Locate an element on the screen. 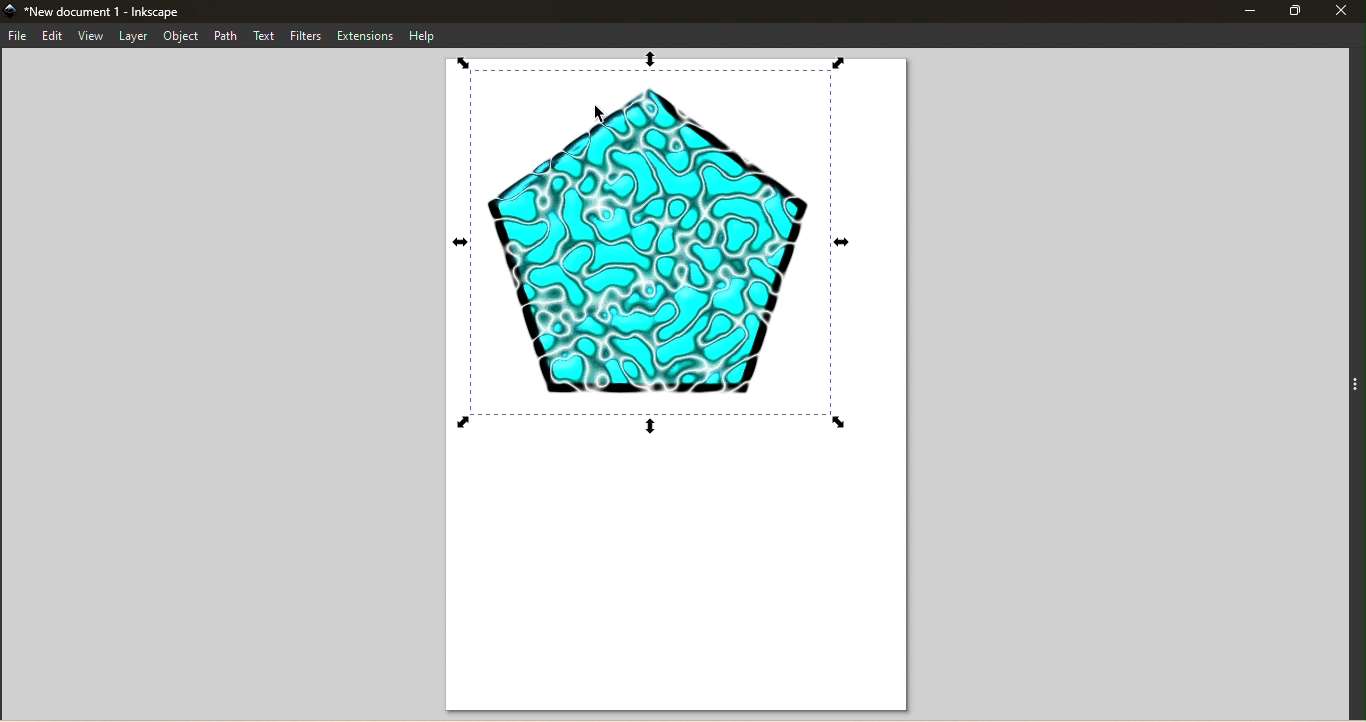  Object is located at coordinates (181, 36).